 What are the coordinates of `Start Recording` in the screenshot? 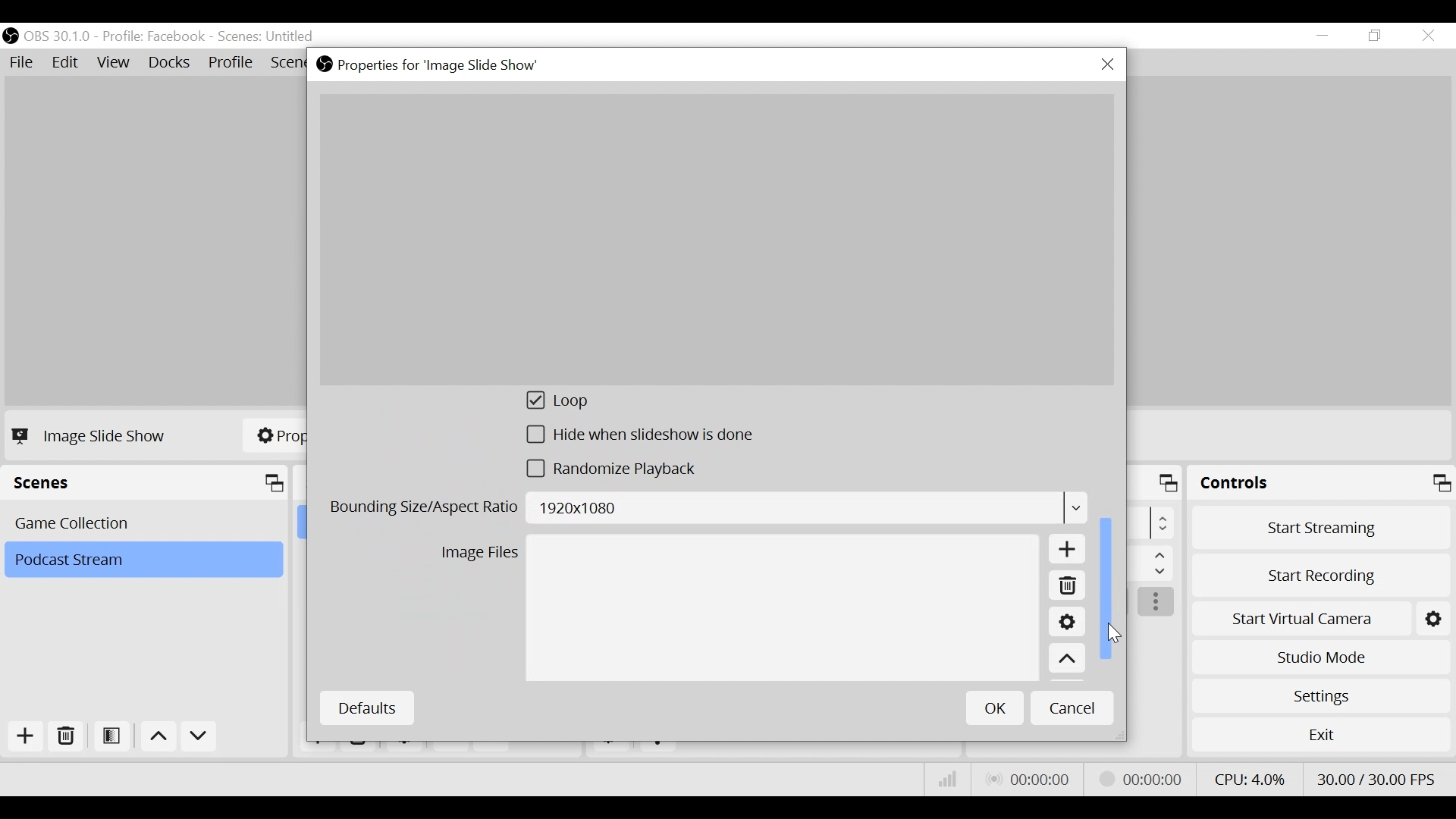 It's located at (1323, 571).